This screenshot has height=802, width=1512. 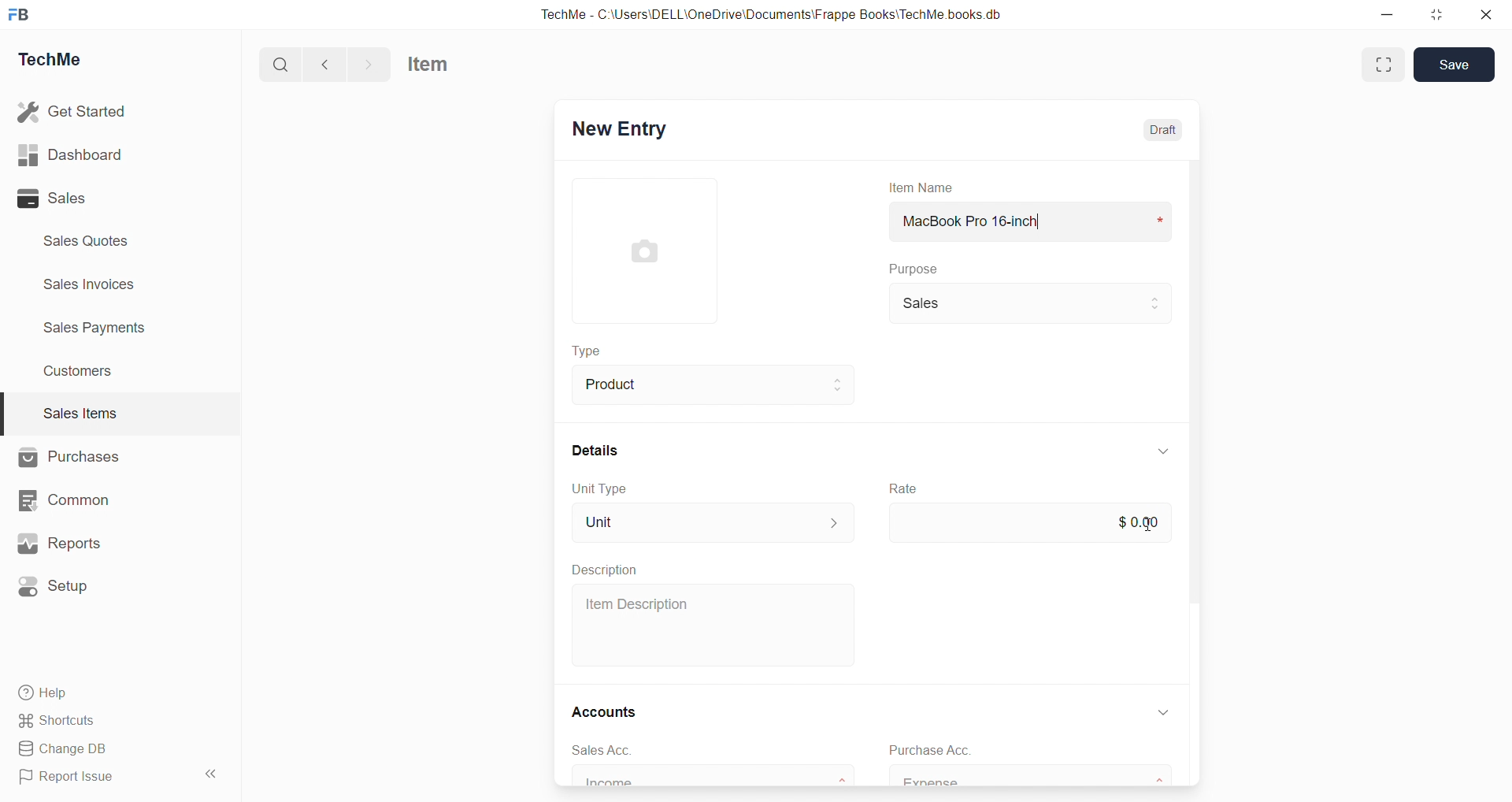 What do you see at coordinates (80, 373) in the screenshot?
I see `Customers` at bounding box center [80, 373].